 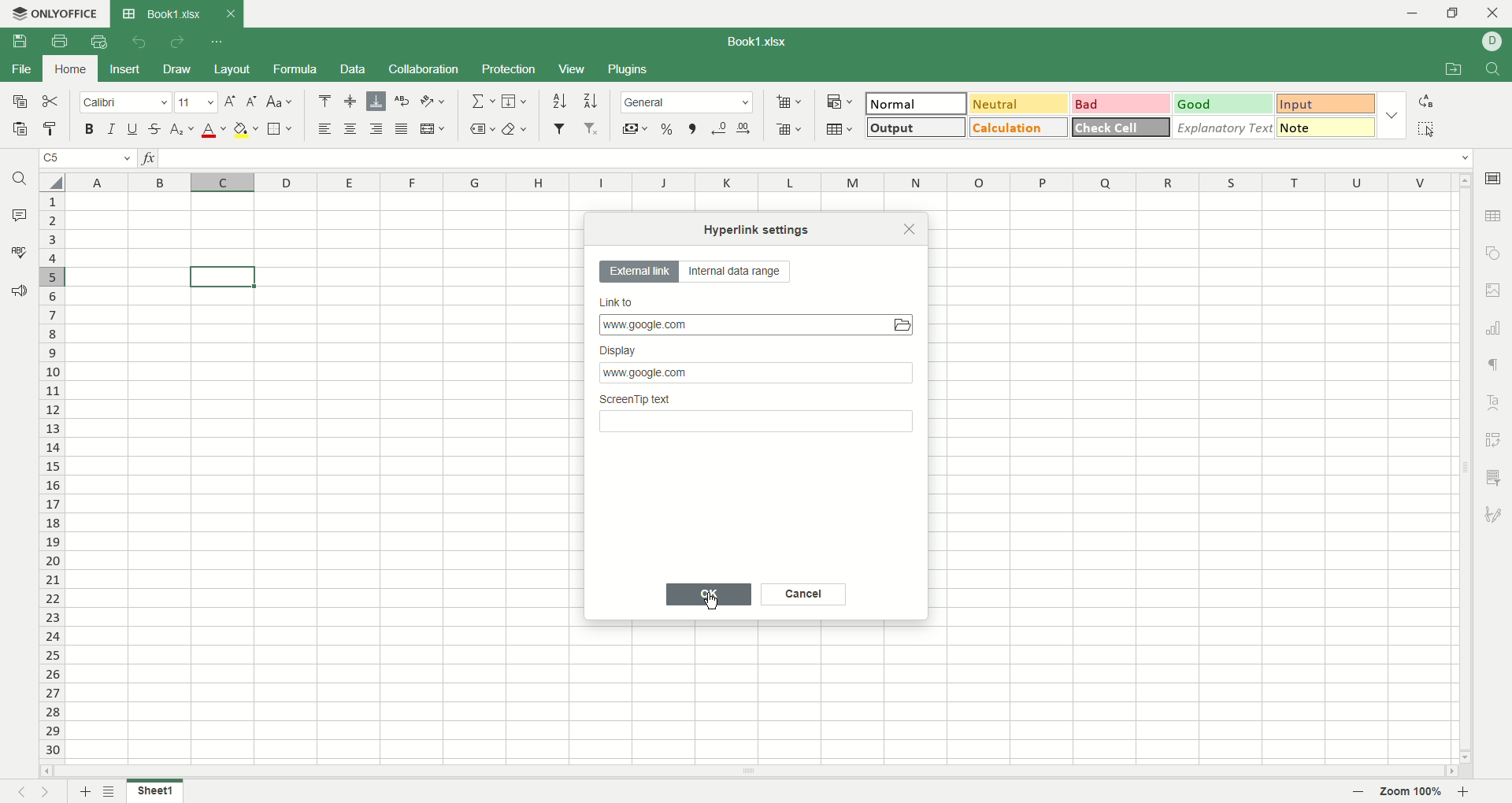 What do you see at coordinates (668, 128) in the screenshot?
I see `percent style` at bounding box center [668, 128].